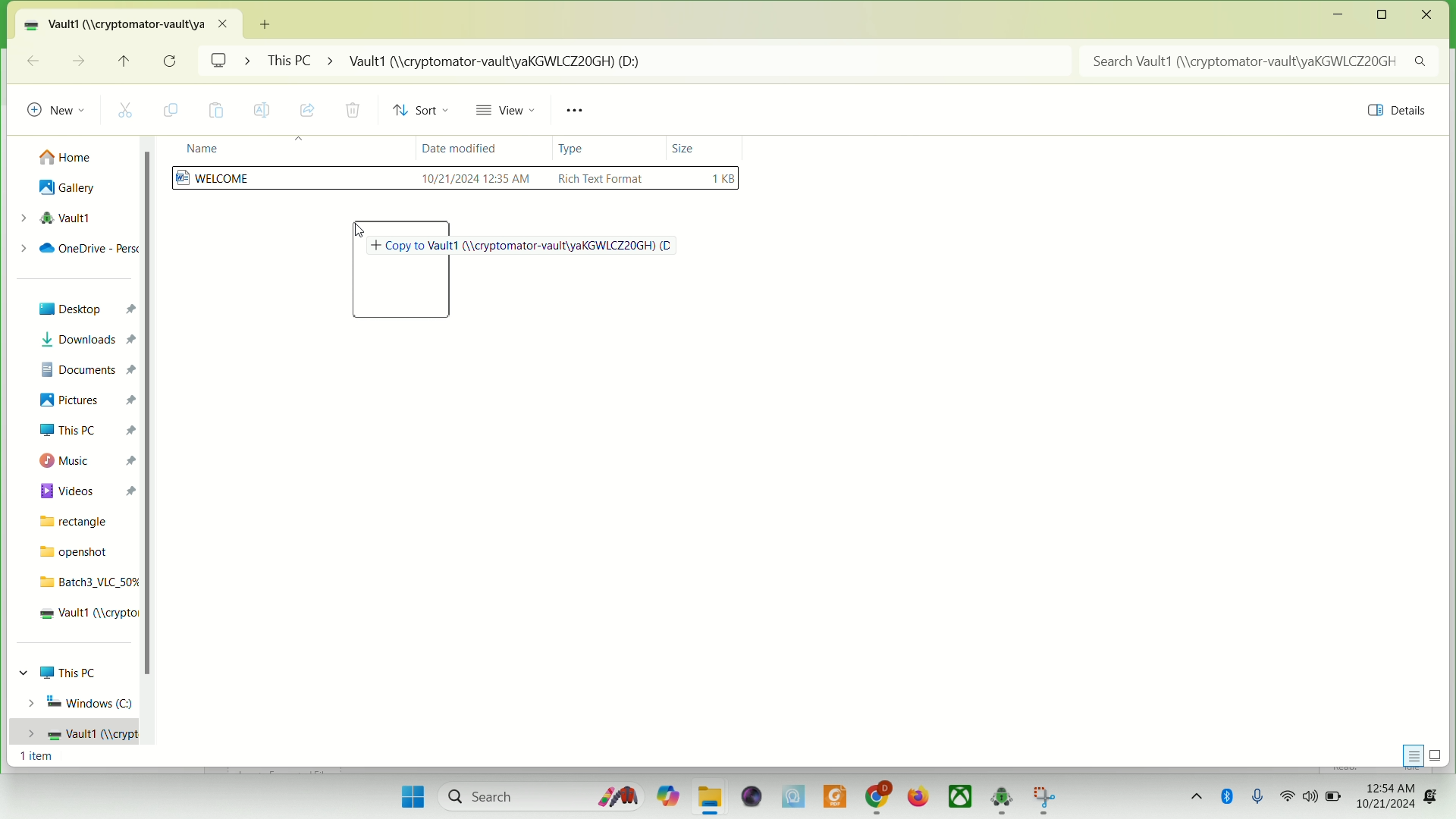 The image size is (1456, 819). What do you see at coordinates (1385, 786) in the screenshot?
I see `12:54AM` at bounding box center [1385, 786].